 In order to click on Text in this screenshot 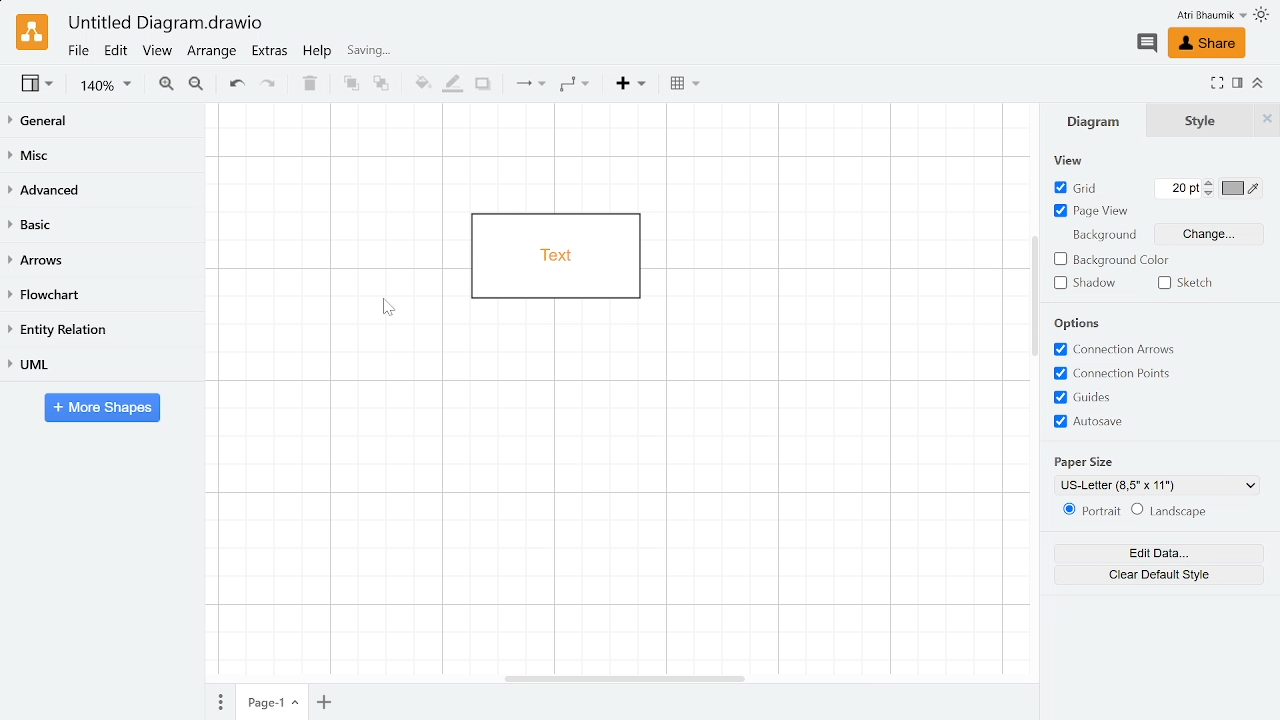, I will do `click(1156, 119)`.